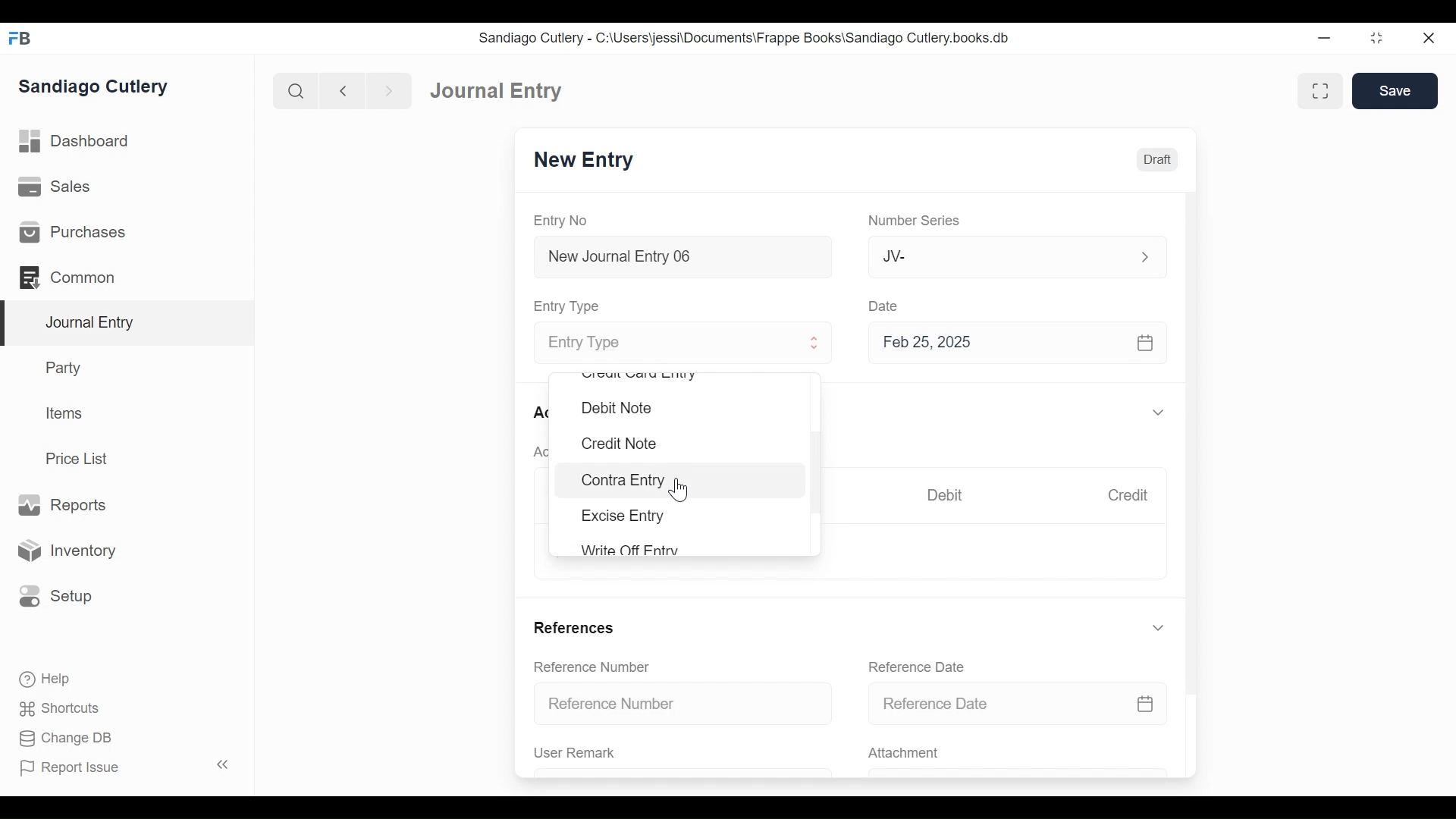 This screenshot has width=1456, height=819. What do you see at coordinates (680, 259) in the screenshot?
I see `New Journal Entry 06` at bounding box center [680, 259].